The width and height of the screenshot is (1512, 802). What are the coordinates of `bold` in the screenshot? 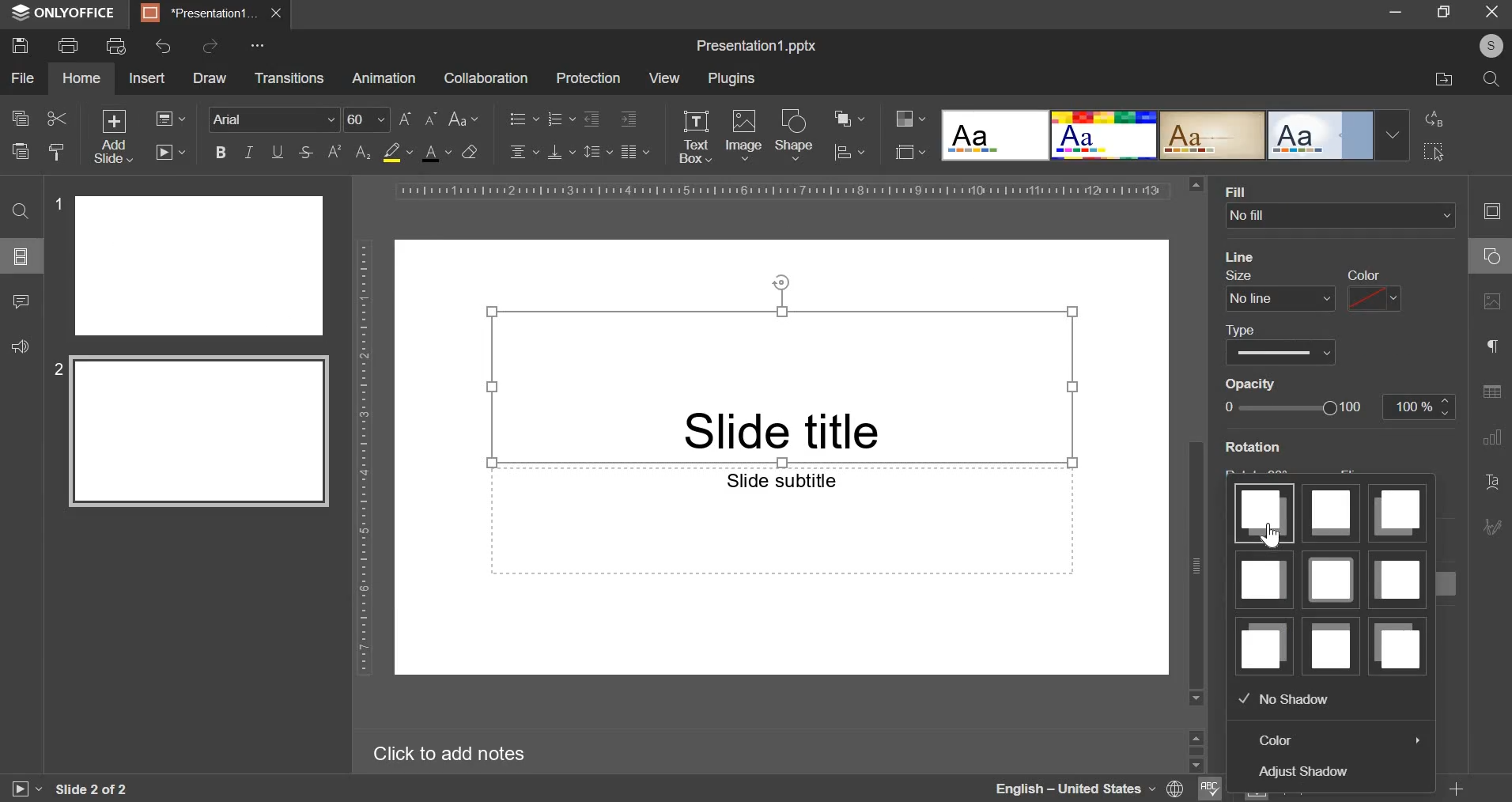 It's located at (221, 150).